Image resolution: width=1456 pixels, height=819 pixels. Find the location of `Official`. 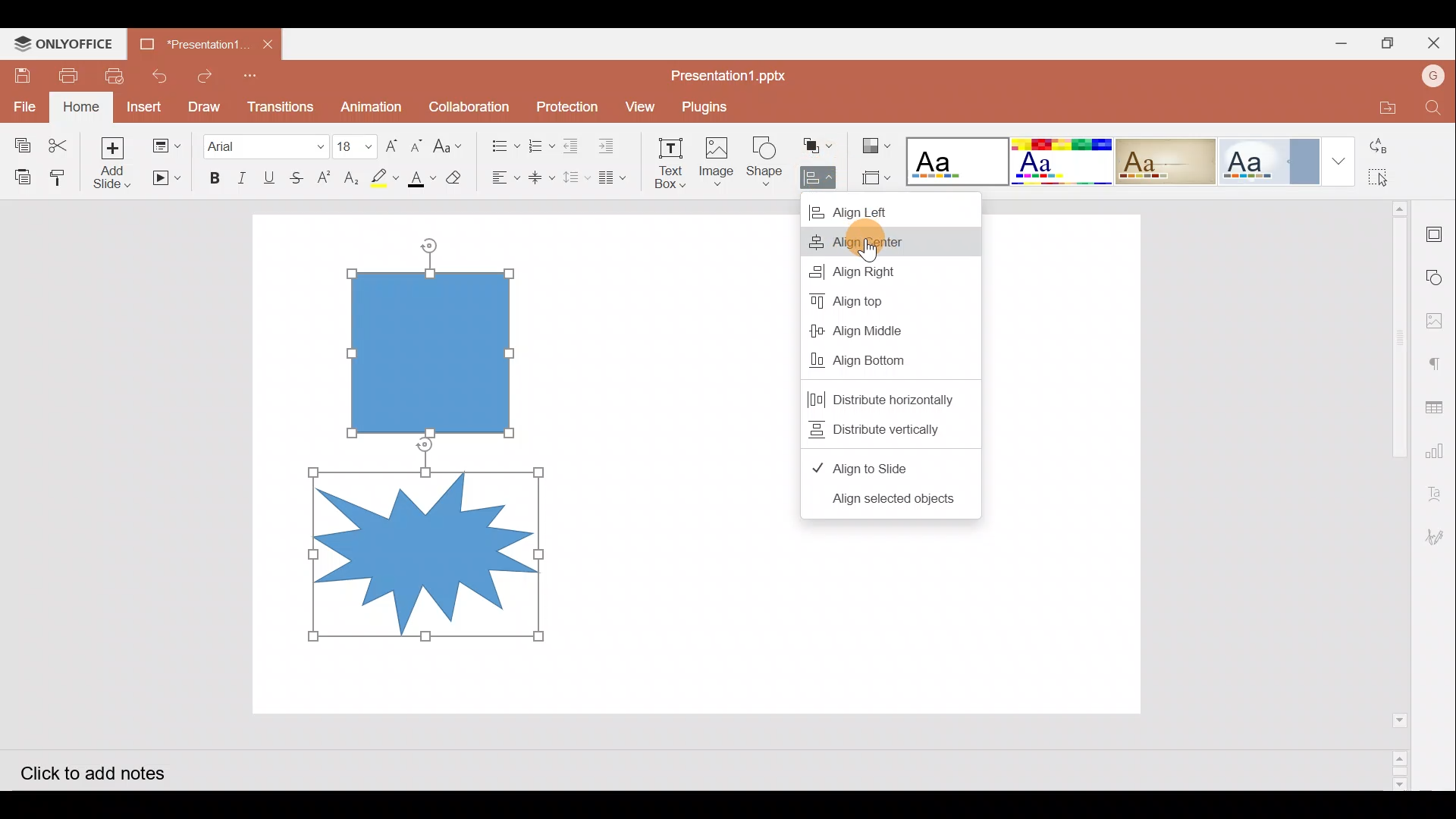

Official is located at coordinates (1286, 160).